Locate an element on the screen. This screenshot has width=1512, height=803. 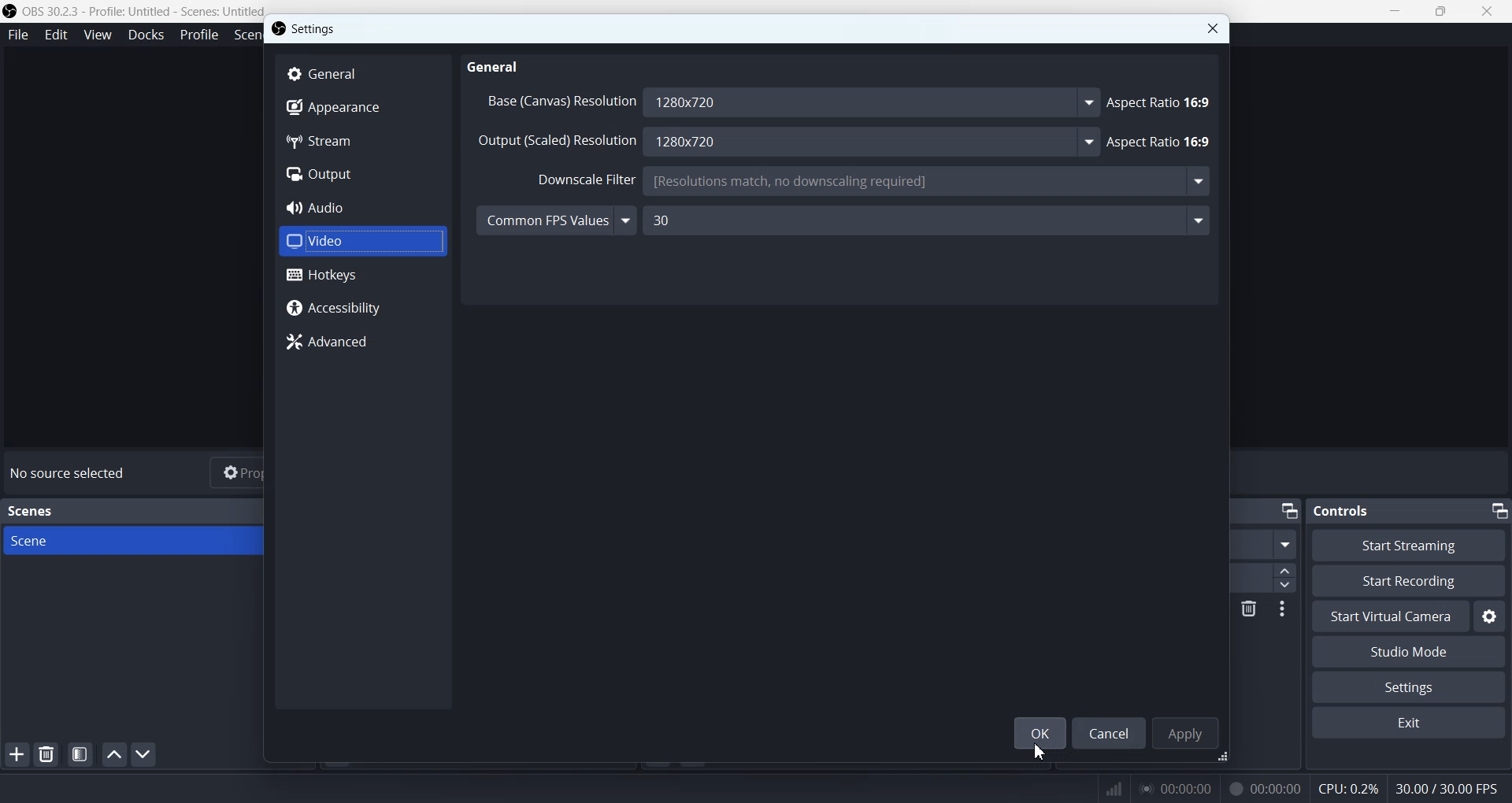
Move scene Down is located at coordinates (144, 754).